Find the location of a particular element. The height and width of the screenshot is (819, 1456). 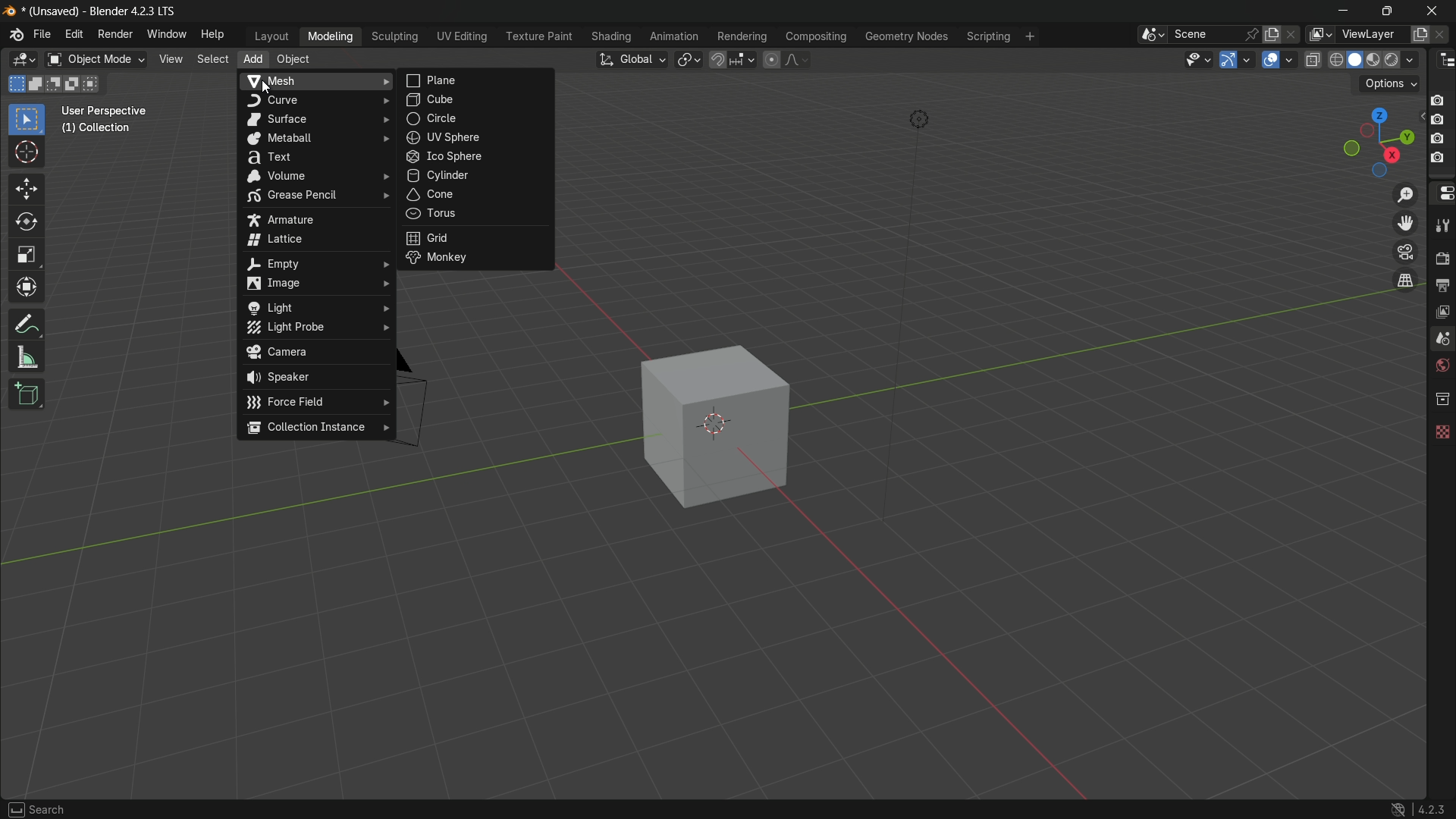

User Perspective (1) Collection is located at coordinates (111, 119).